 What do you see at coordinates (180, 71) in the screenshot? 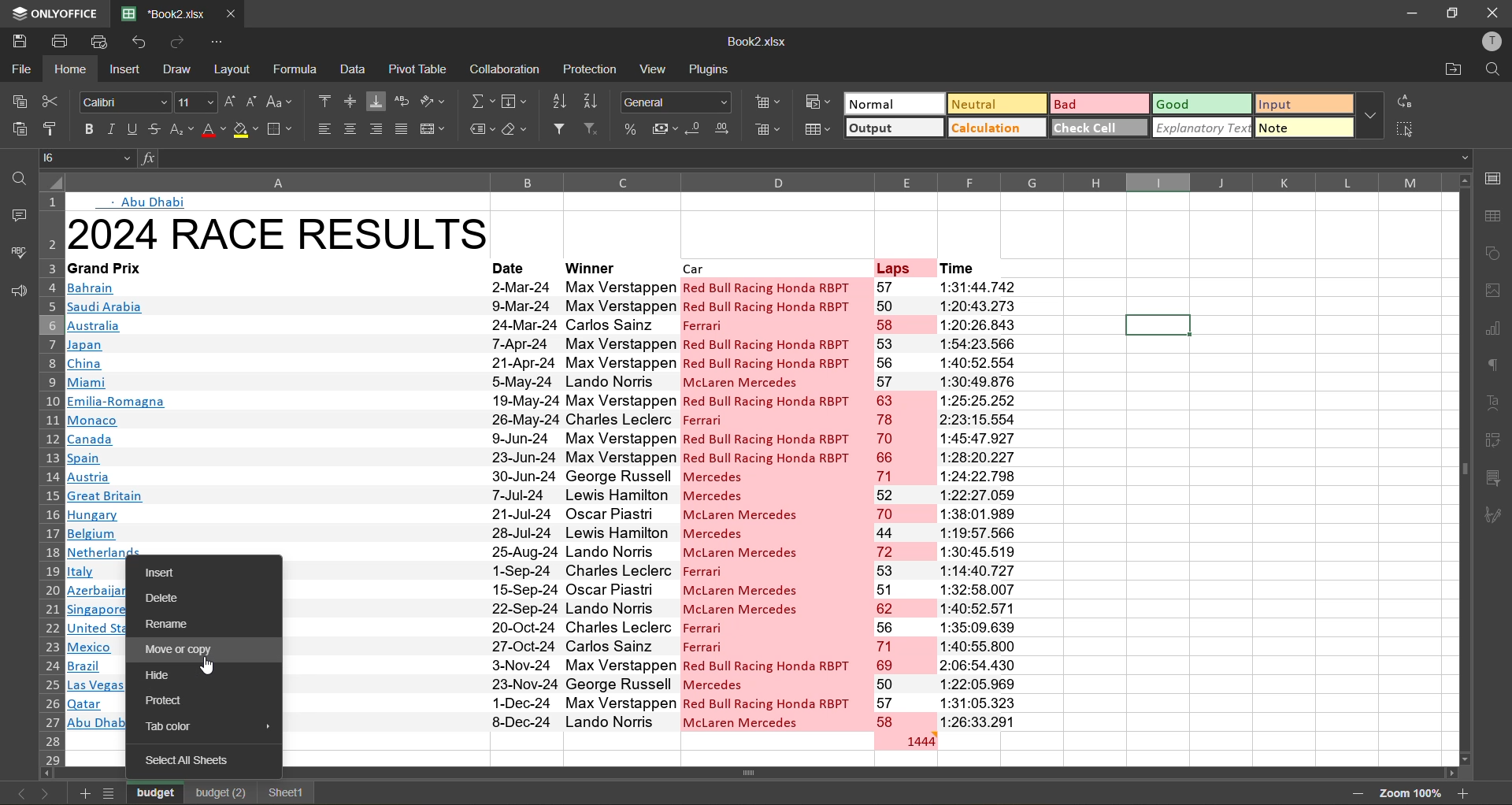
I see `draw` at bounding box center [180, 71].